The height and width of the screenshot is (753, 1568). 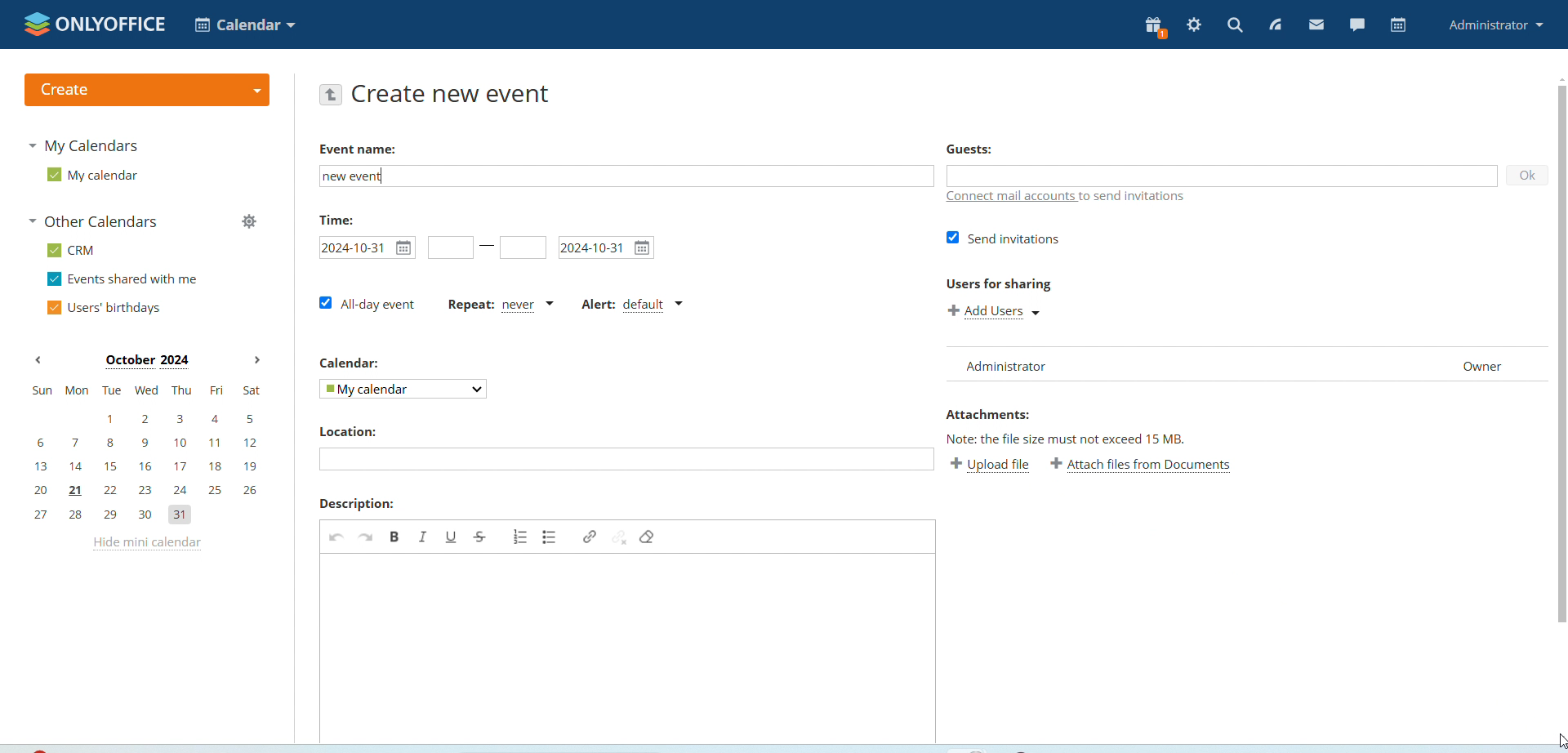 I want to click on administrator, so click(x=1497, y=25).